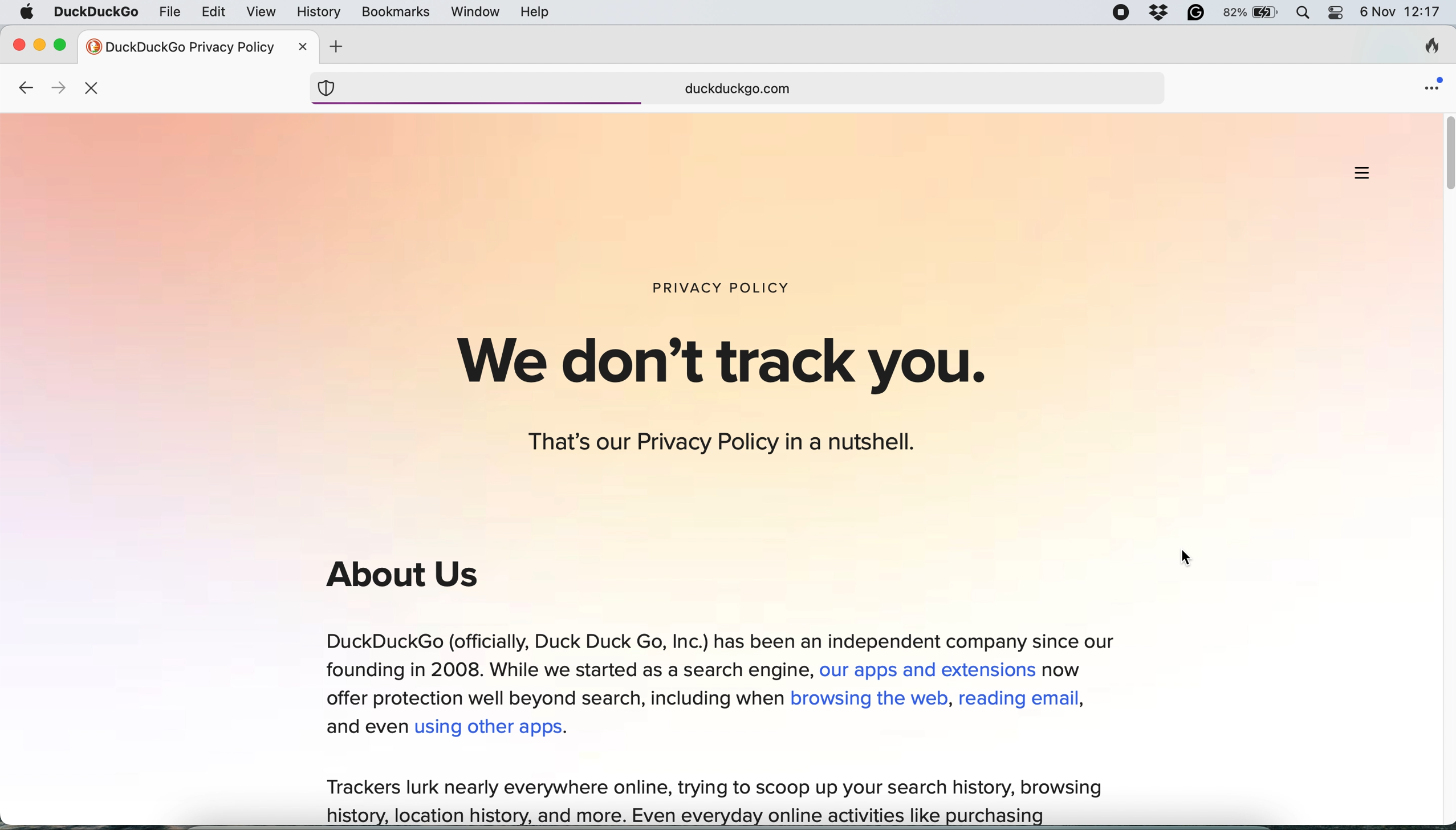 This screenshot has width=1456, height=830. I want to click on view, so click(262, 13).